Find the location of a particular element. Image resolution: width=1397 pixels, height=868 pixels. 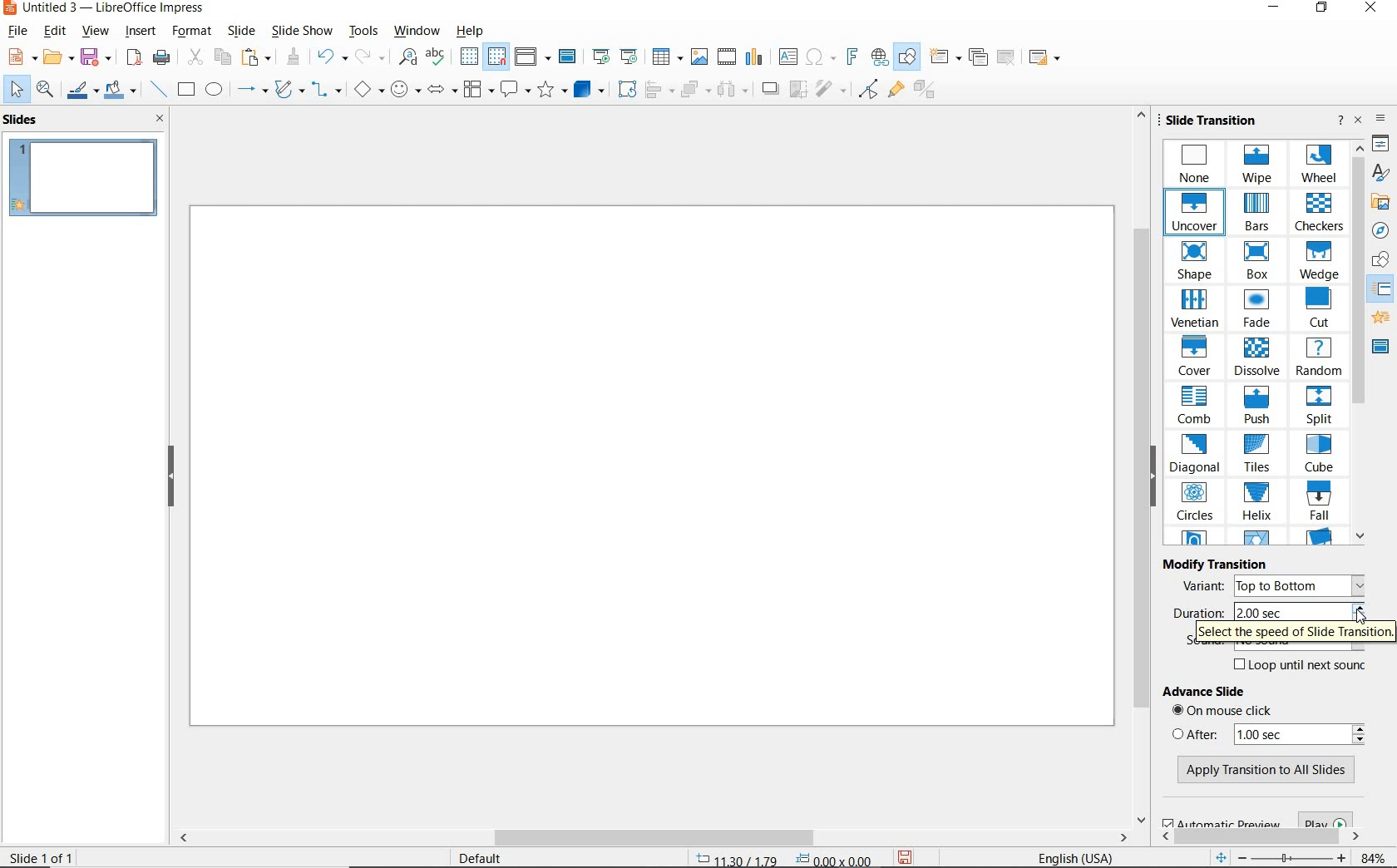

DIAGONAL is located at coordinates (1196, 454).